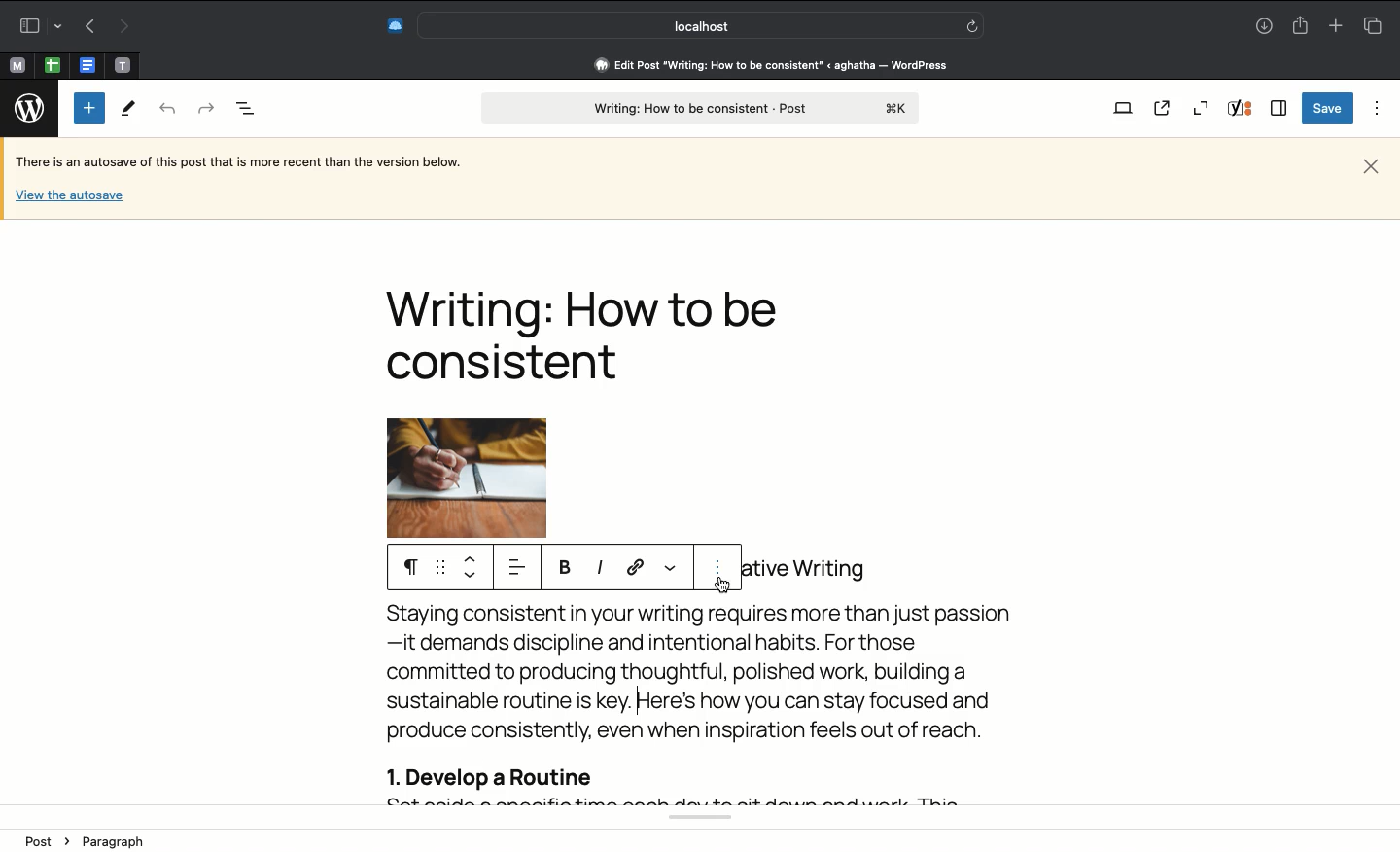 Image resolution: width=1400 pixels, height=852 pixels. Describe the element at coordinates (124, 62) in the screenshot. I see `pinned tab` at that location.